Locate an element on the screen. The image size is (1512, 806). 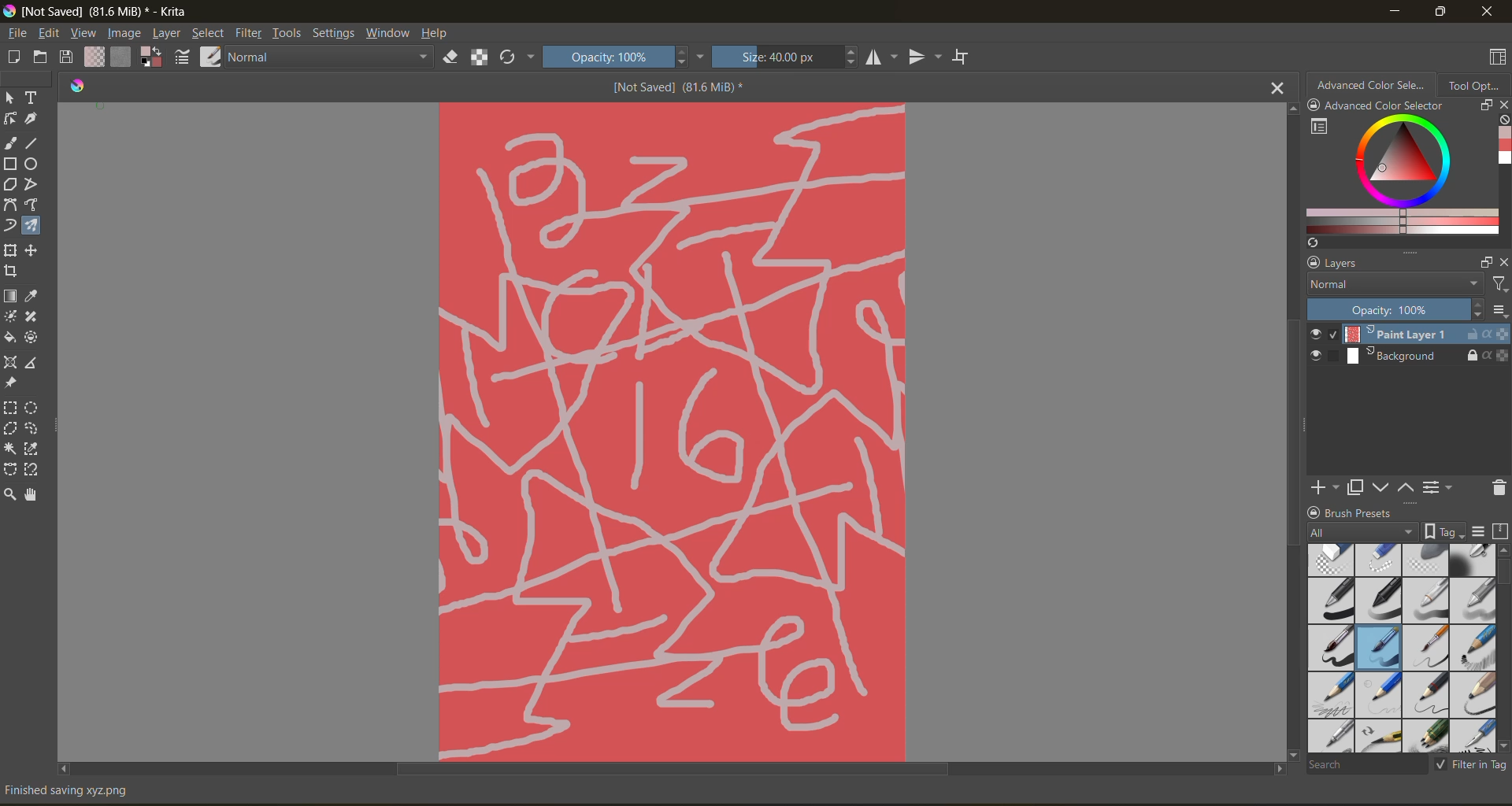
tool is located at coordinates (9, 250).